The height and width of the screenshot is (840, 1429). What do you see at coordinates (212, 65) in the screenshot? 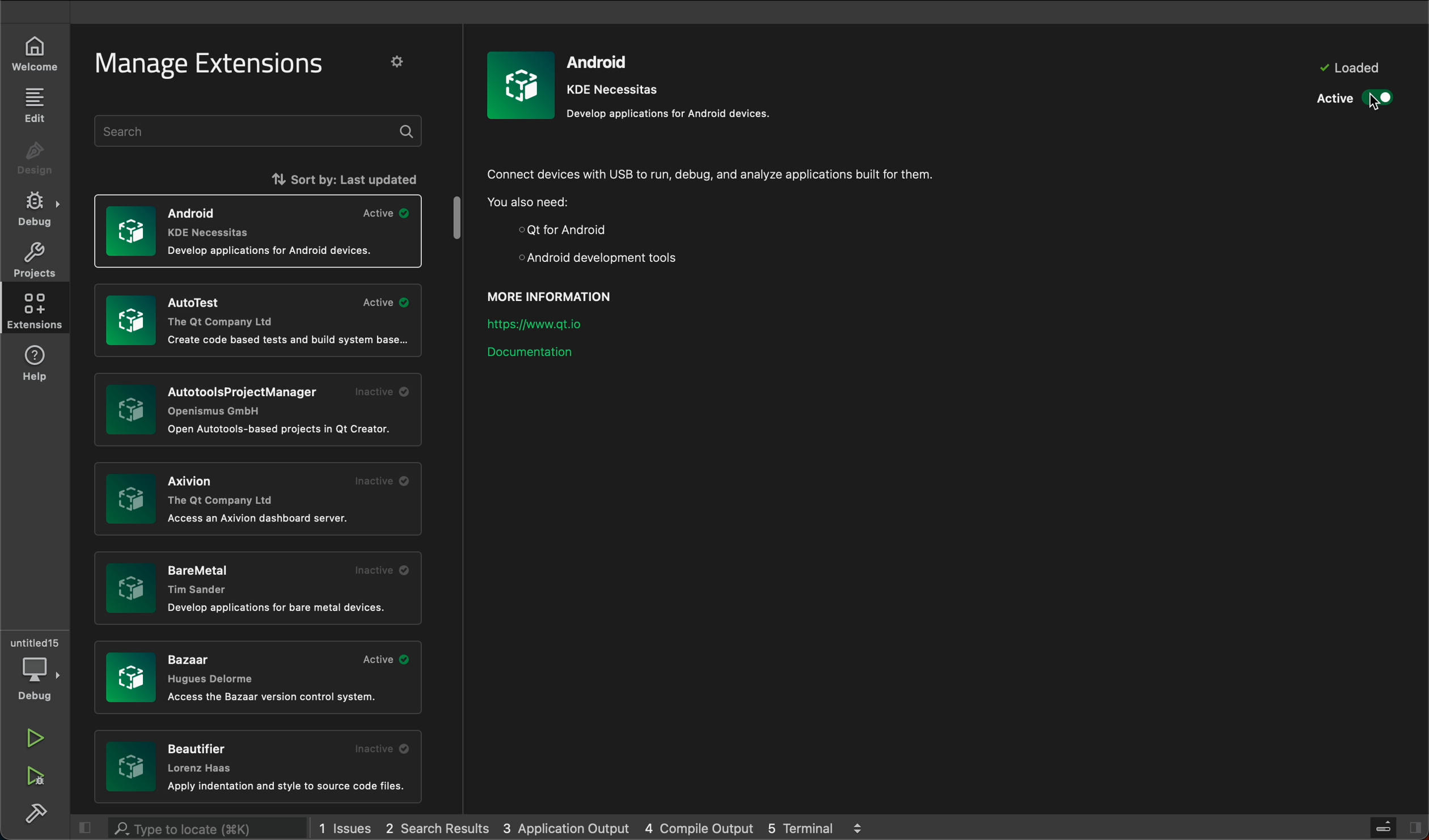
I see `manage extension` at bounding box center [212, 65].